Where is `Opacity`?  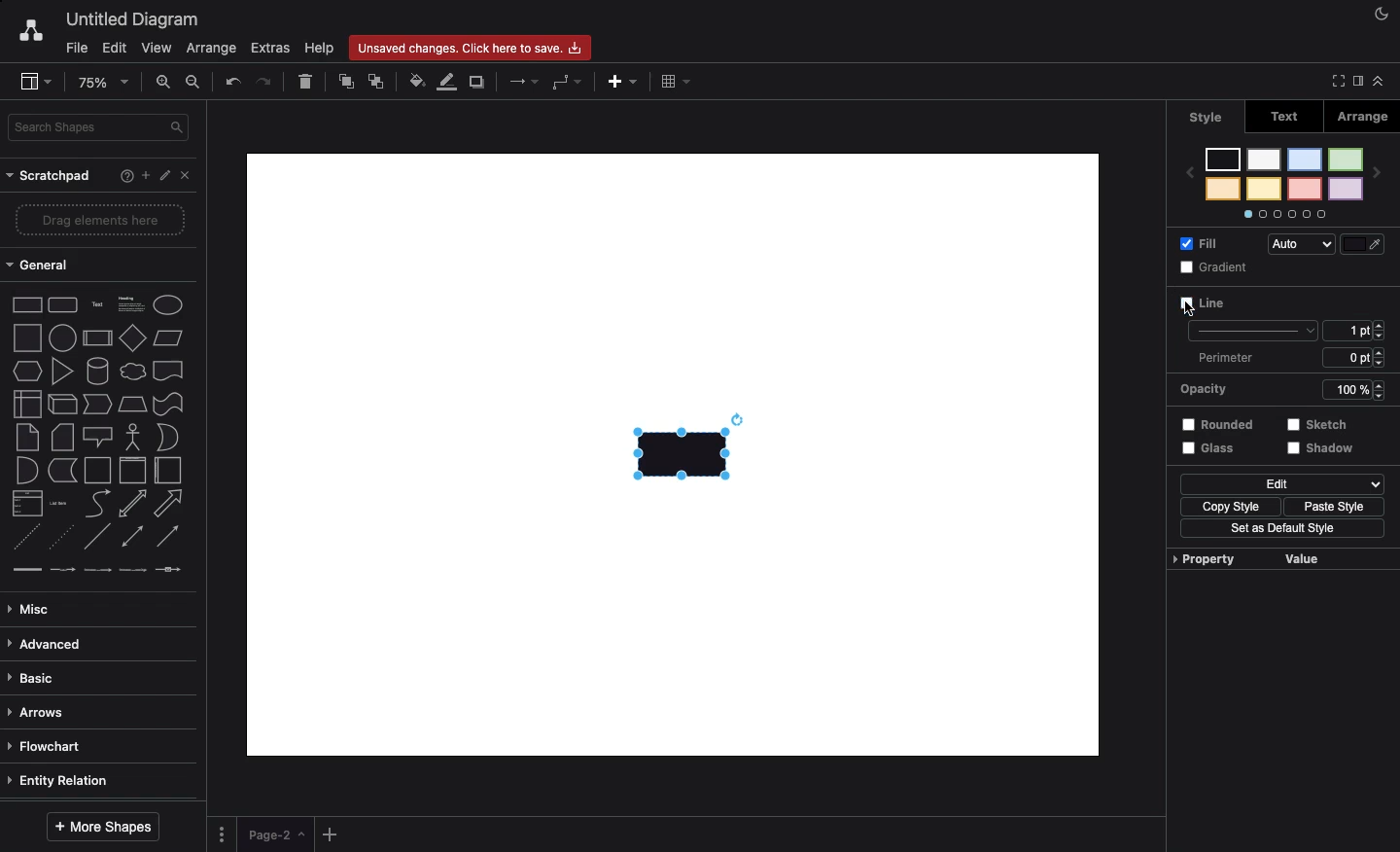 Opacity is located at coordinates (1202, 388).